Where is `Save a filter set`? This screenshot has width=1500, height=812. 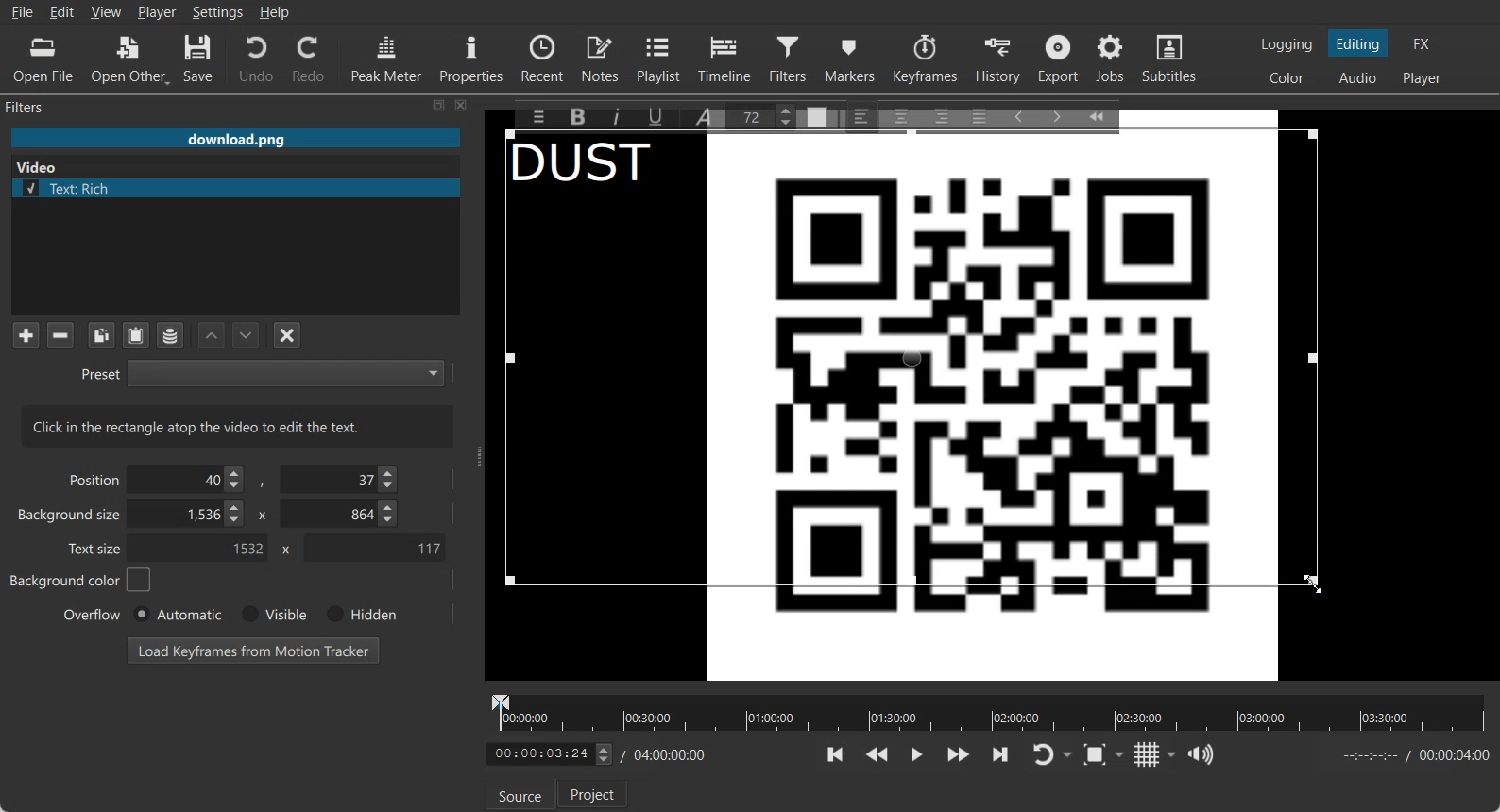
Save a filter set is located at coordinates (169, 336).